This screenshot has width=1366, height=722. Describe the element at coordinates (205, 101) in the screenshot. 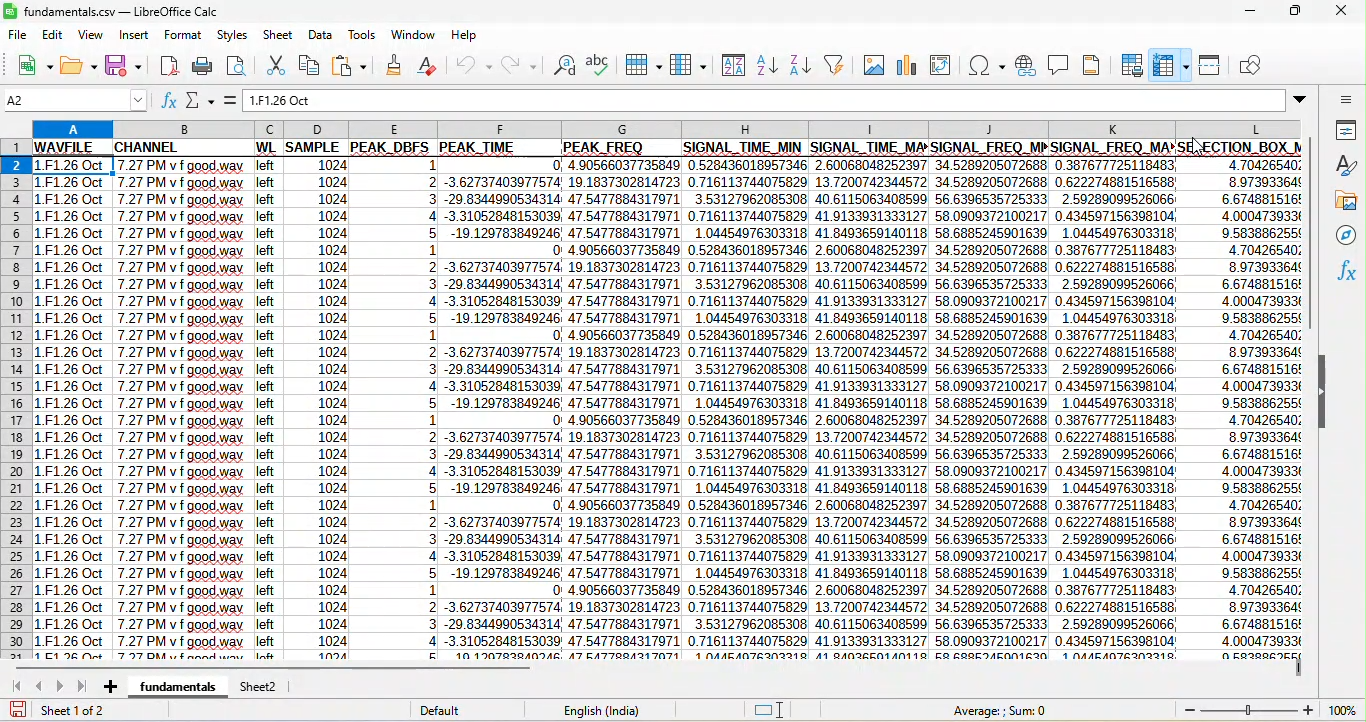

I see `select function` at that location.